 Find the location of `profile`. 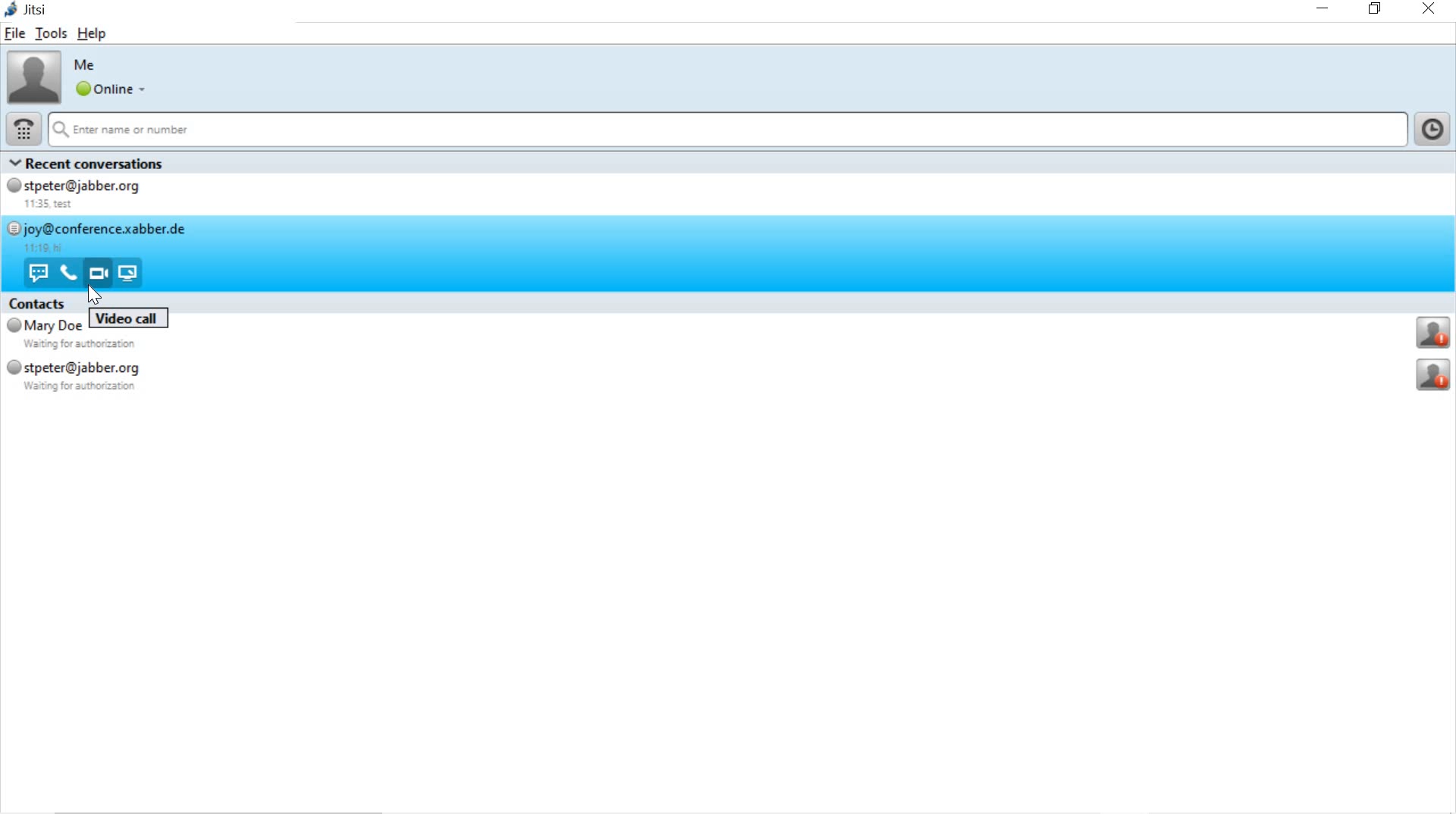

profile is located at coordinates (1434, 333).